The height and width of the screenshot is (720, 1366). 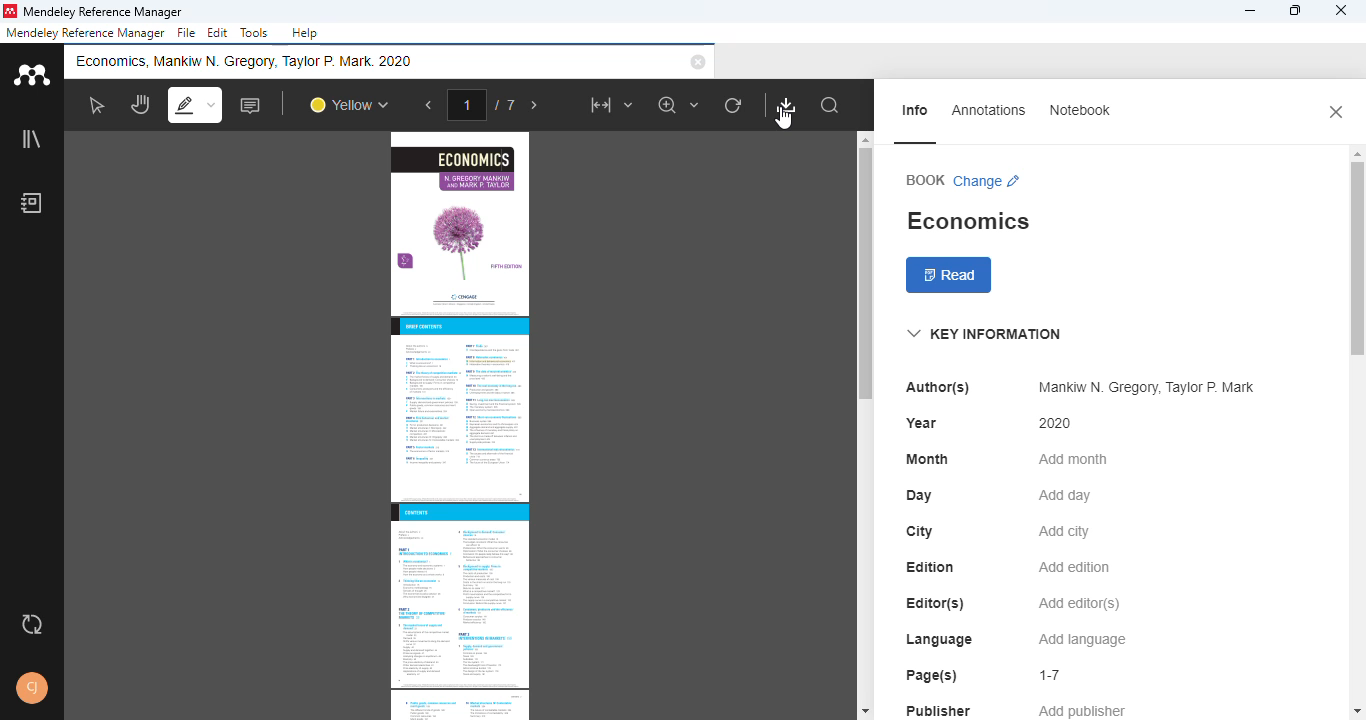 I want to click on library, so click(x=30, y=137).